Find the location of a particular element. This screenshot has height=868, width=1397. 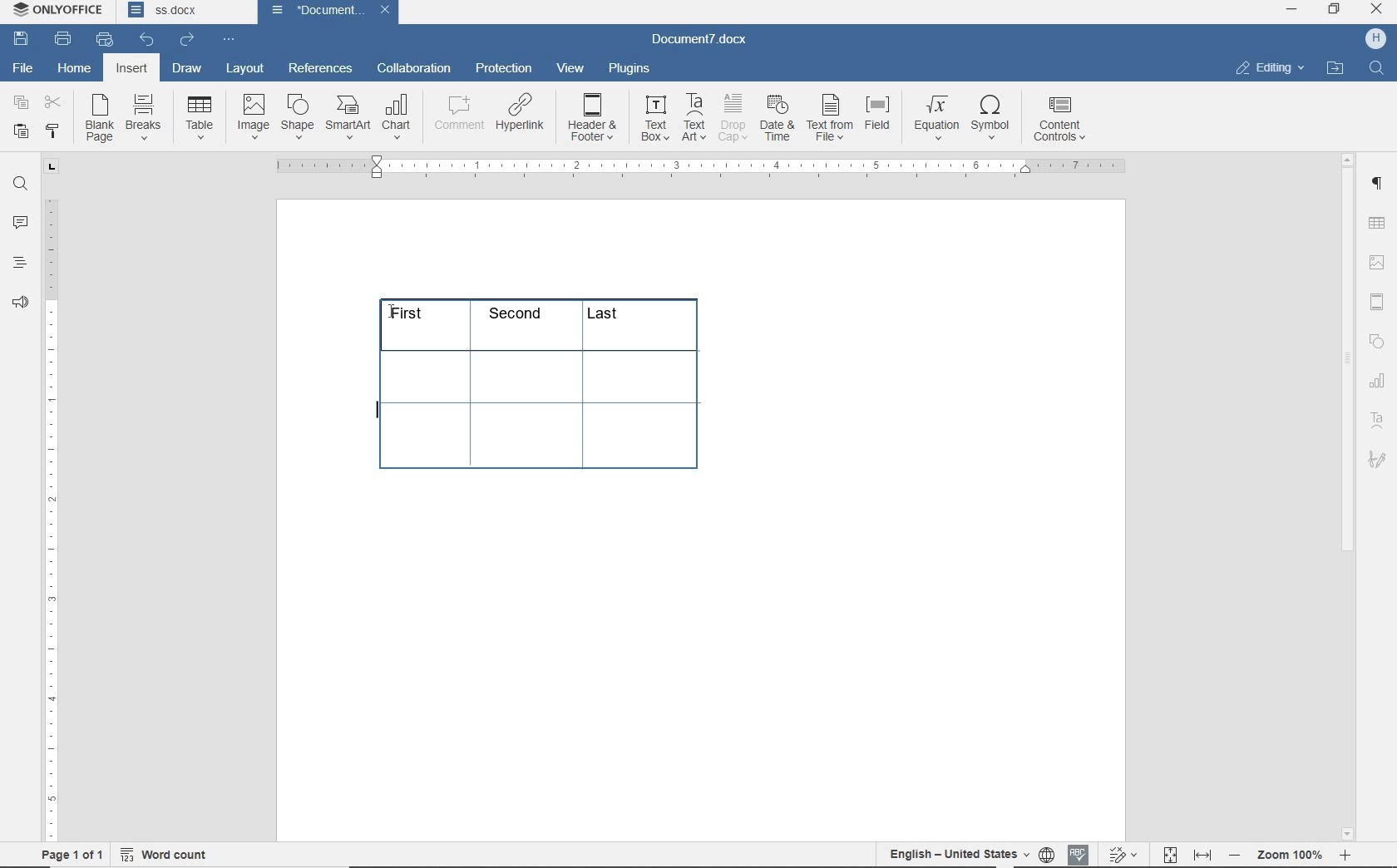

quick print is located at coordinates (104, 40).